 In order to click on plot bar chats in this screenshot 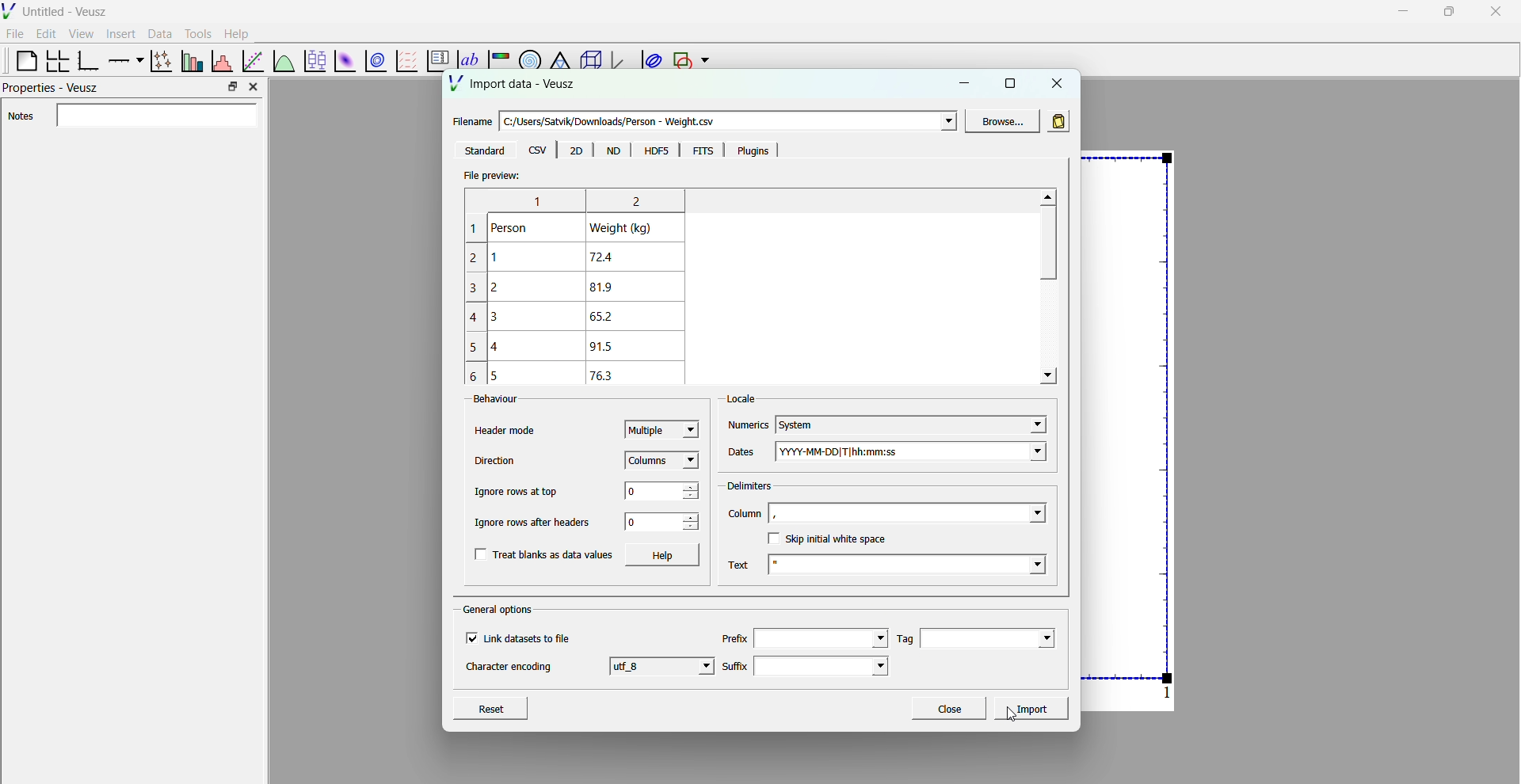, I will do `click(190, 61)`.